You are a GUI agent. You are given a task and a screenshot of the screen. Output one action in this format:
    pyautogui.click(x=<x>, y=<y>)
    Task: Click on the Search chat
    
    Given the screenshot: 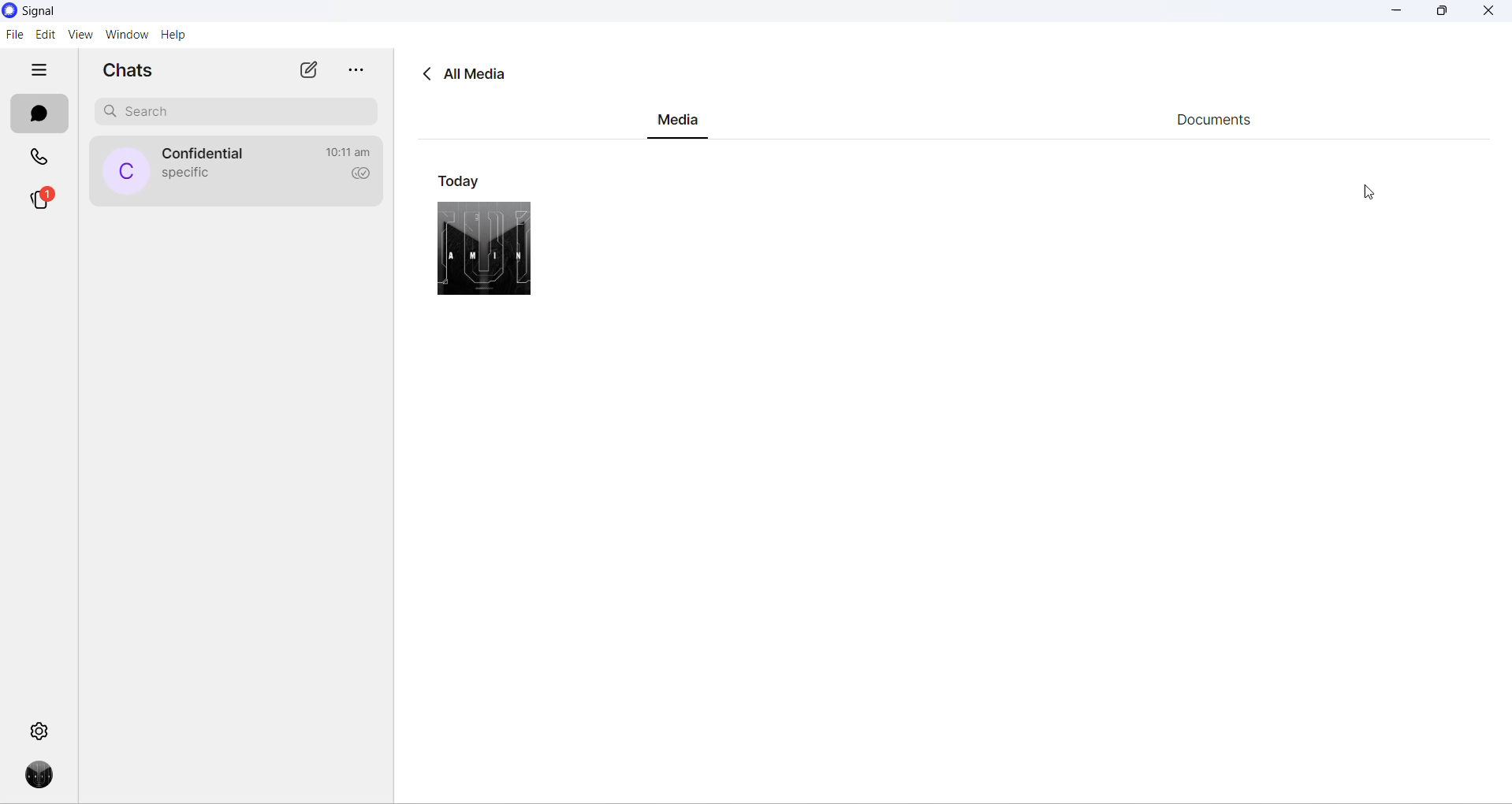 What is the action you would take?
    pyautogui.click(x=240, y=115)
    